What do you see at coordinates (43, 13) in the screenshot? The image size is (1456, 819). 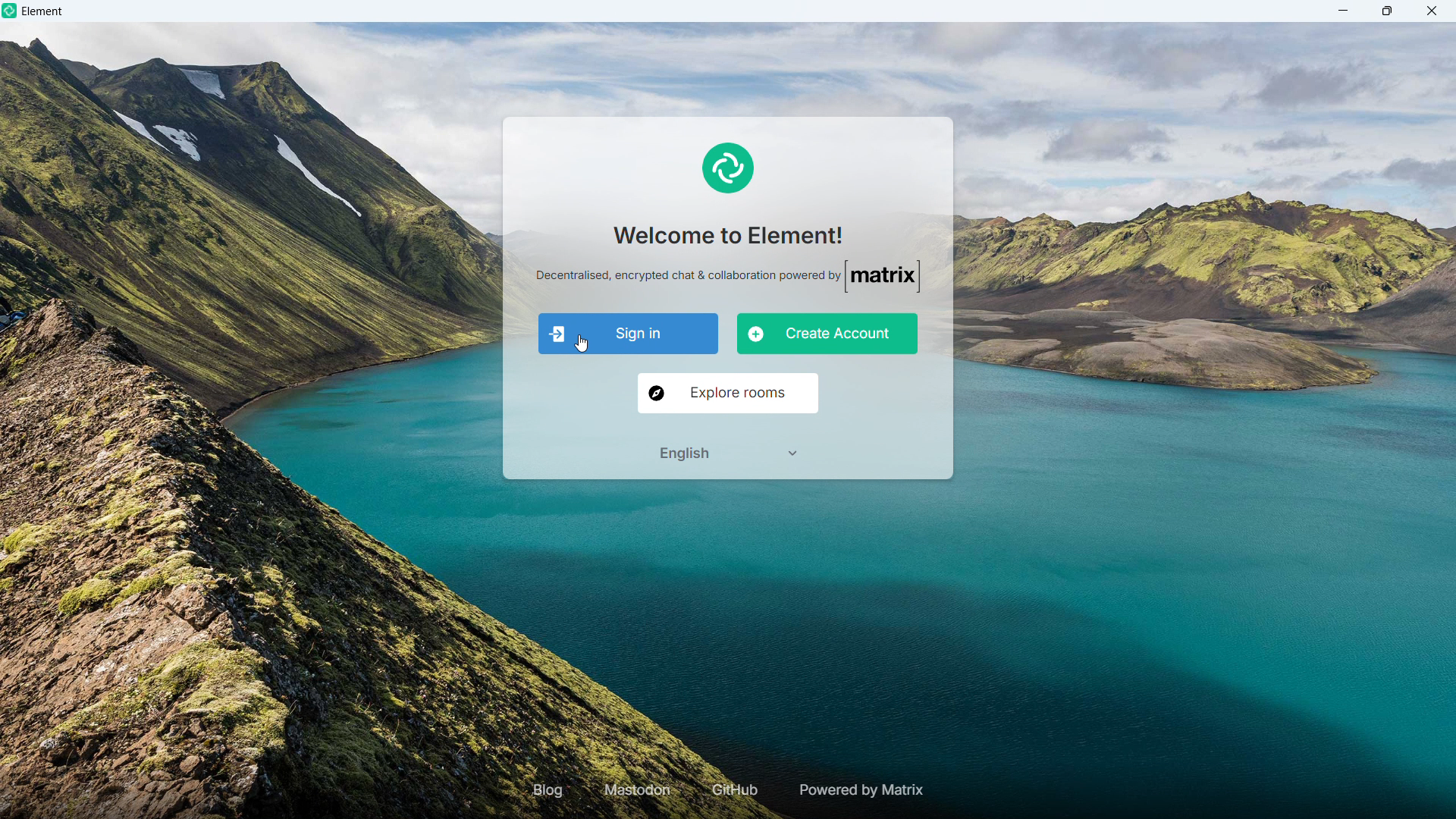 I see `element` at bounding box center [43, 13].